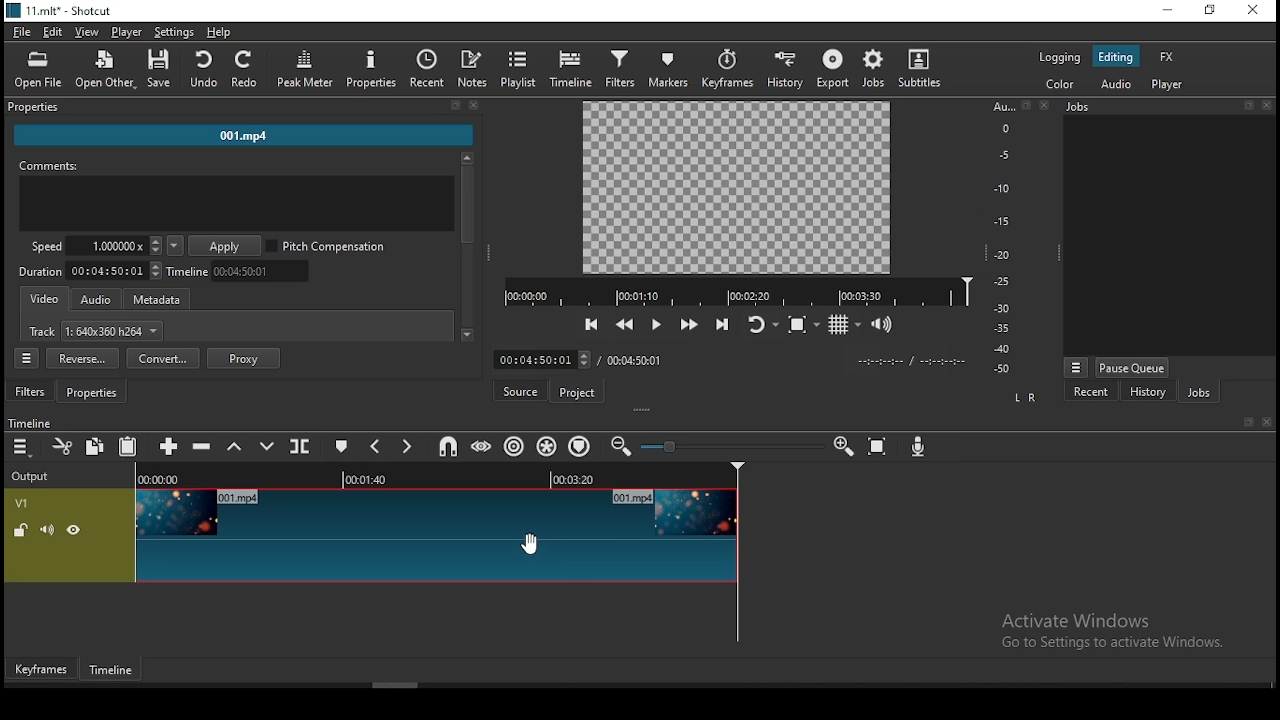 The image size is (1280, 720). What do you see at coordinates (521, 392) in the screenshot?
I see `source` at bounding box center [521, 392].